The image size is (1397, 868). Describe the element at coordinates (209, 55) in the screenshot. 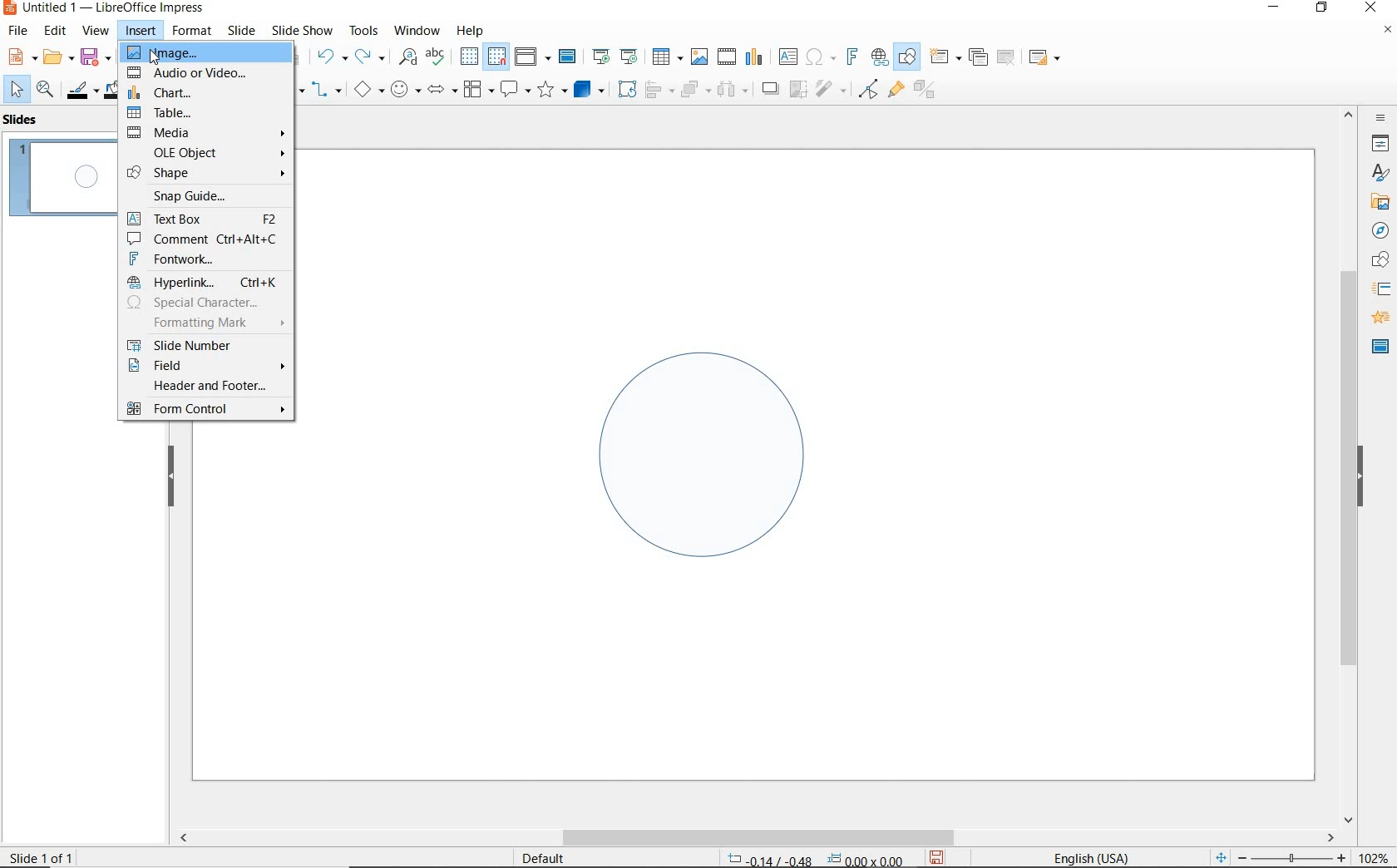

I see `IMAGE` at that location.